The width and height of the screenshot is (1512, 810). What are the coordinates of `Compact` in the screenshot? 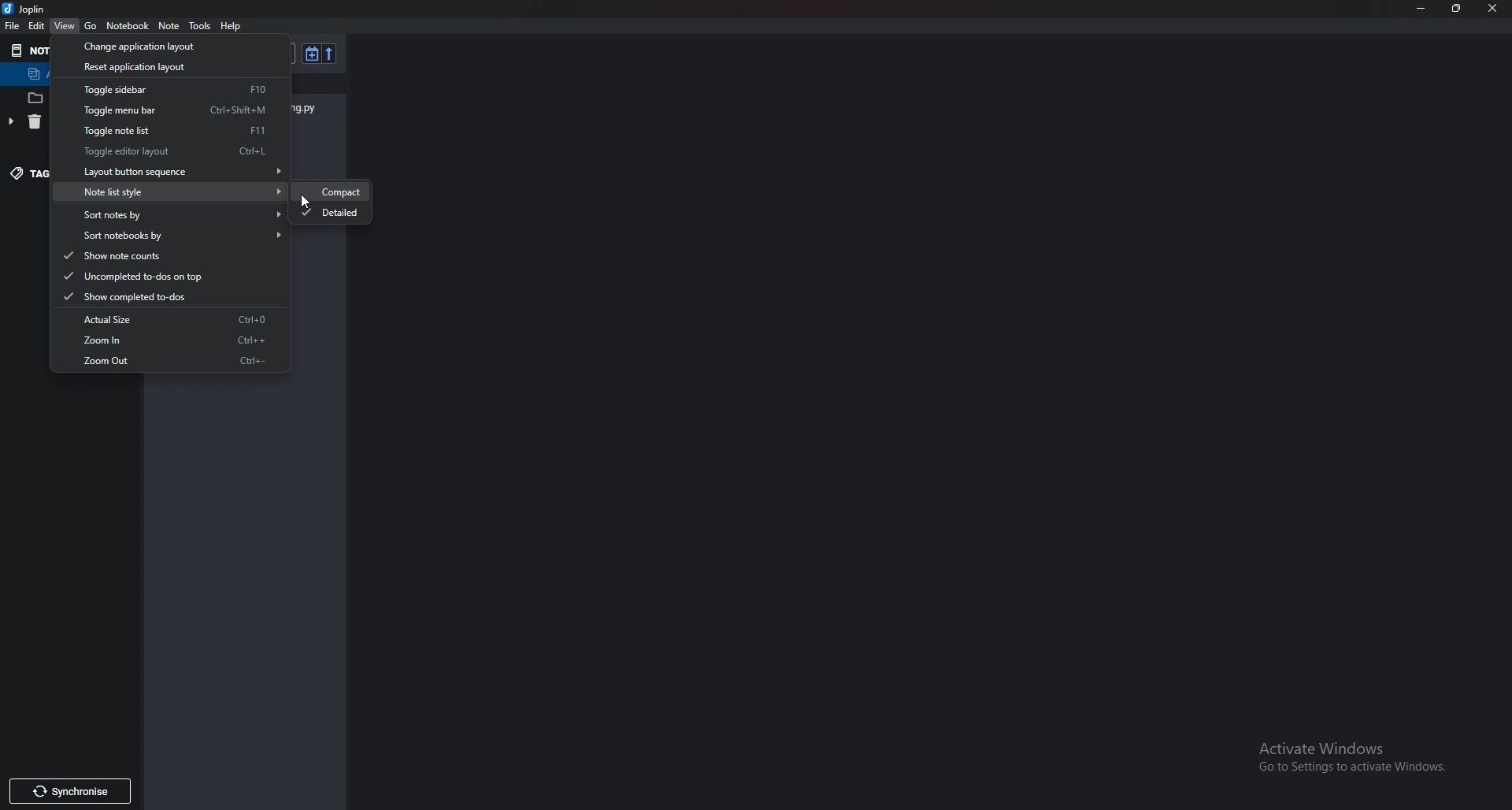 It's located at (337, 191).